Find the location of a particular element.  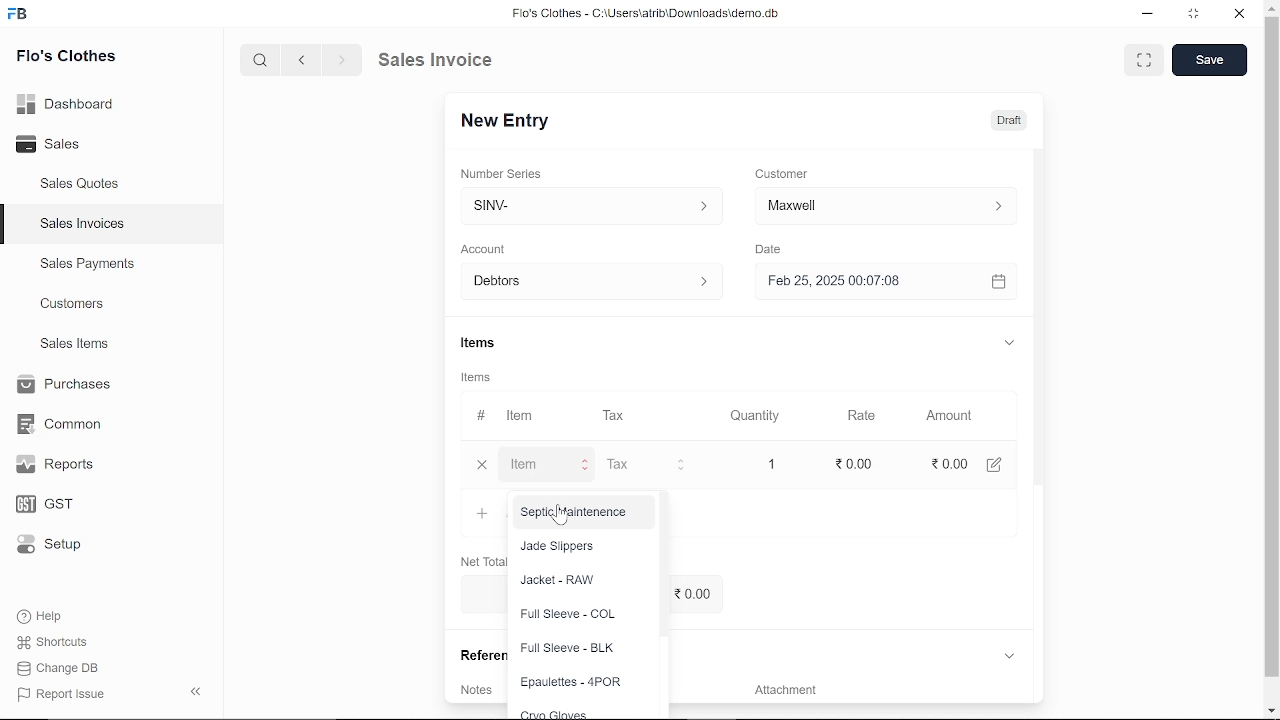

| Full Sleeve - BLK is located at coordinates (570, 650).